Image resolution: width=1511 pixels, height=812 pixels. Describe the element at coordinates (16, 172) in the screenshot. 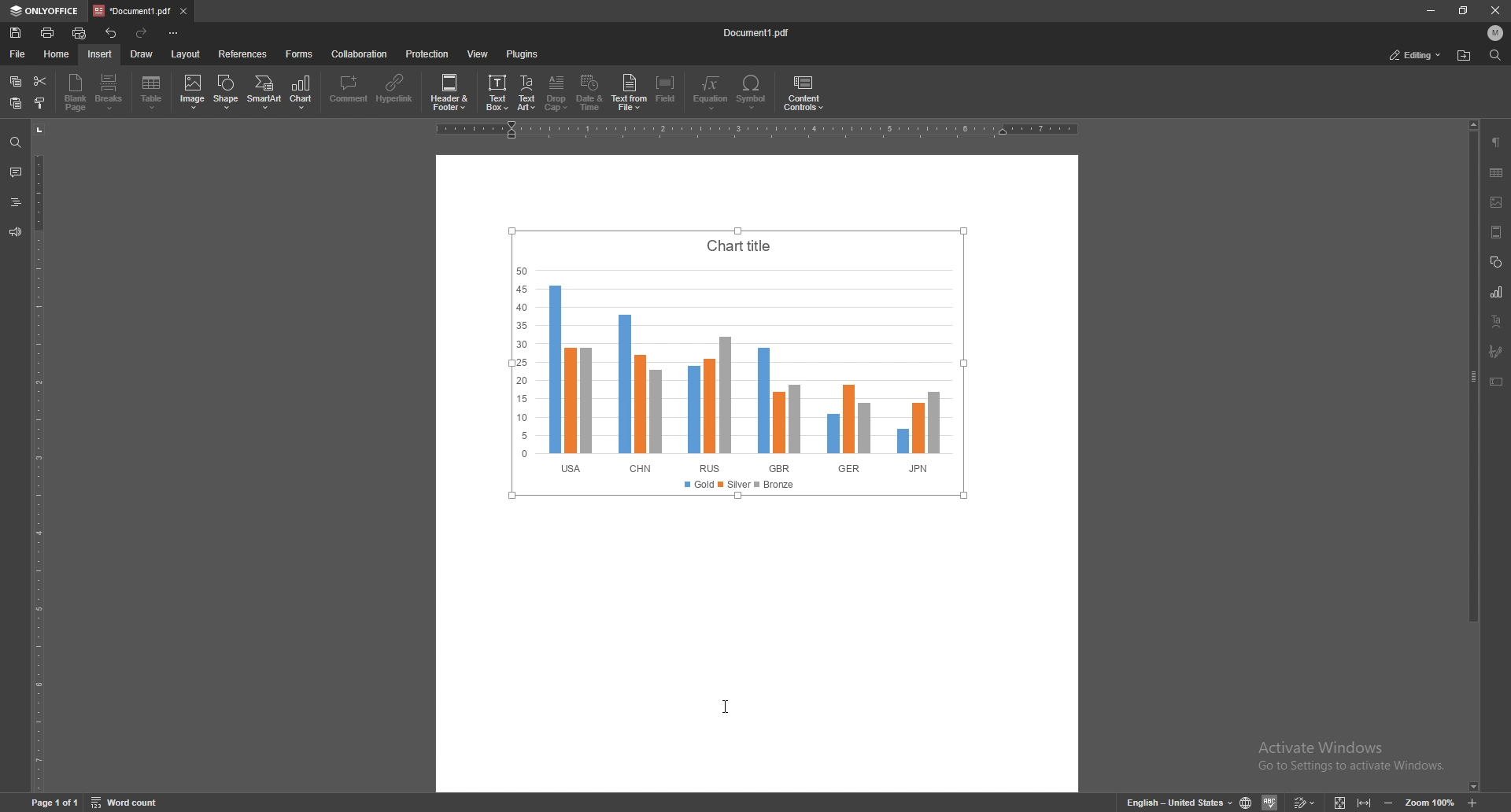

I see `comment` at that location.